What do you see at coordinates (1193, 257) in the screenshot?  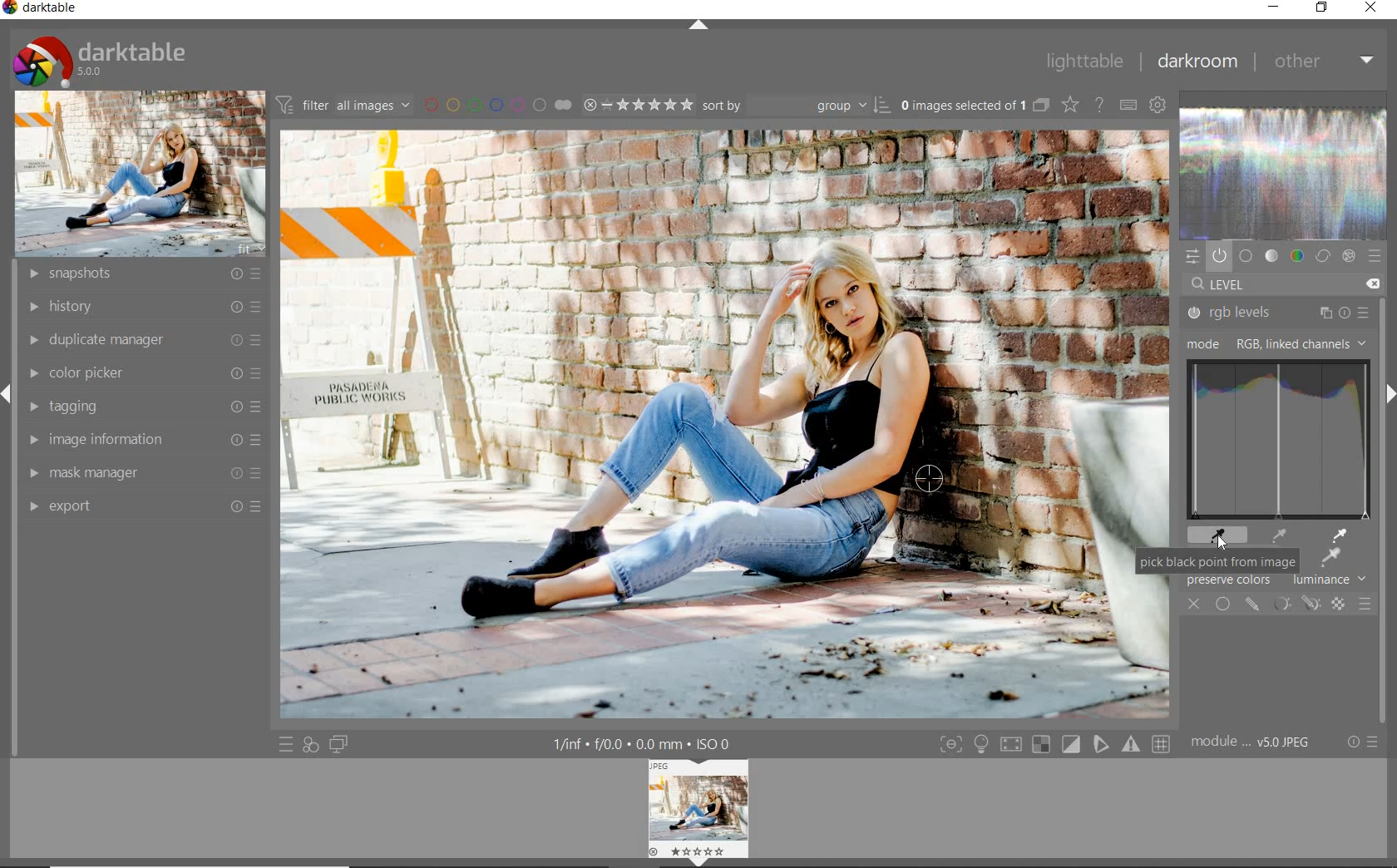 I see `quick access panel` at bounding box center [1193, 257].